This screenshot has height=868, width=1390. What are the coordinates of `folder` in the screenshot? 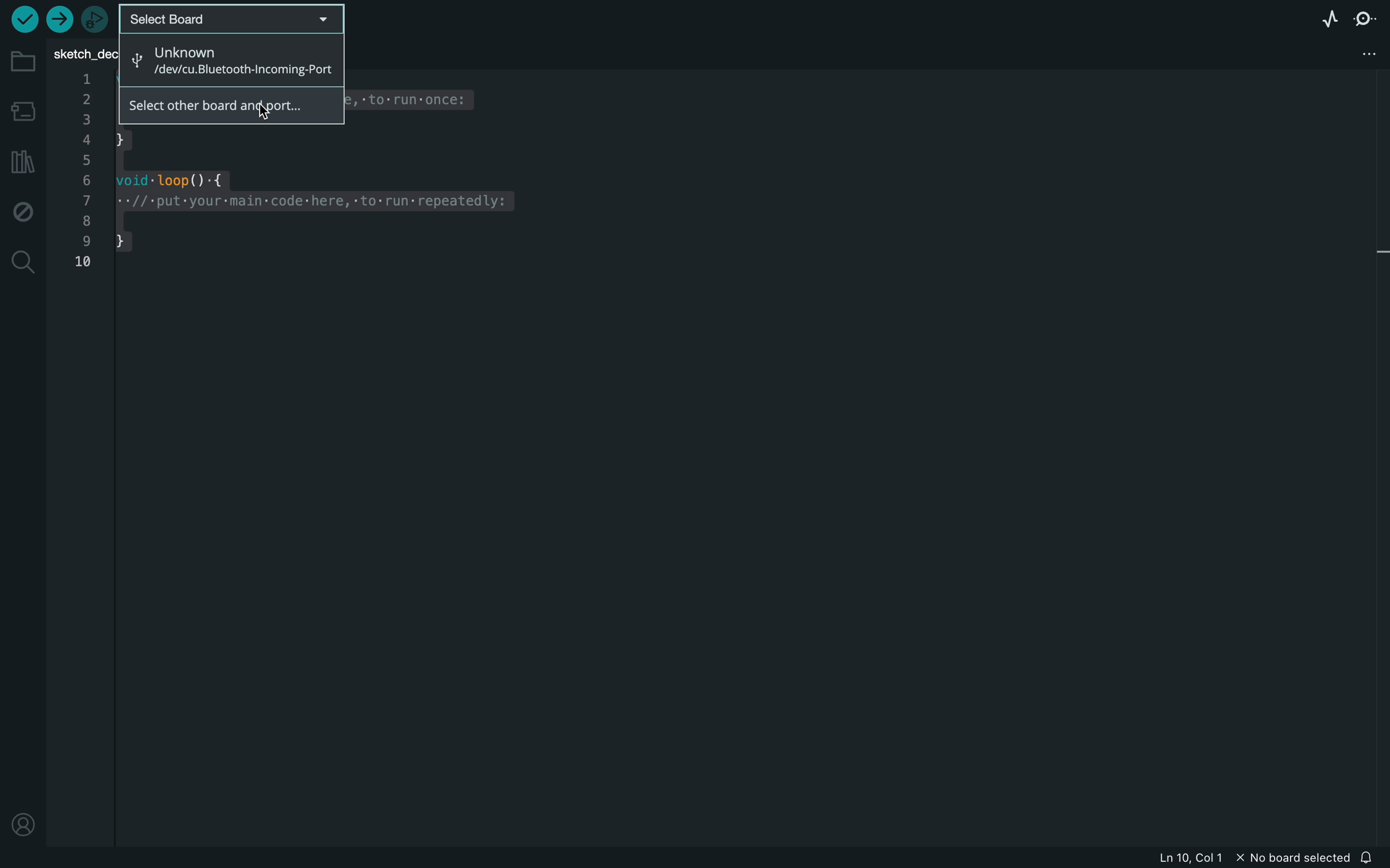 It's located at (23, 63).